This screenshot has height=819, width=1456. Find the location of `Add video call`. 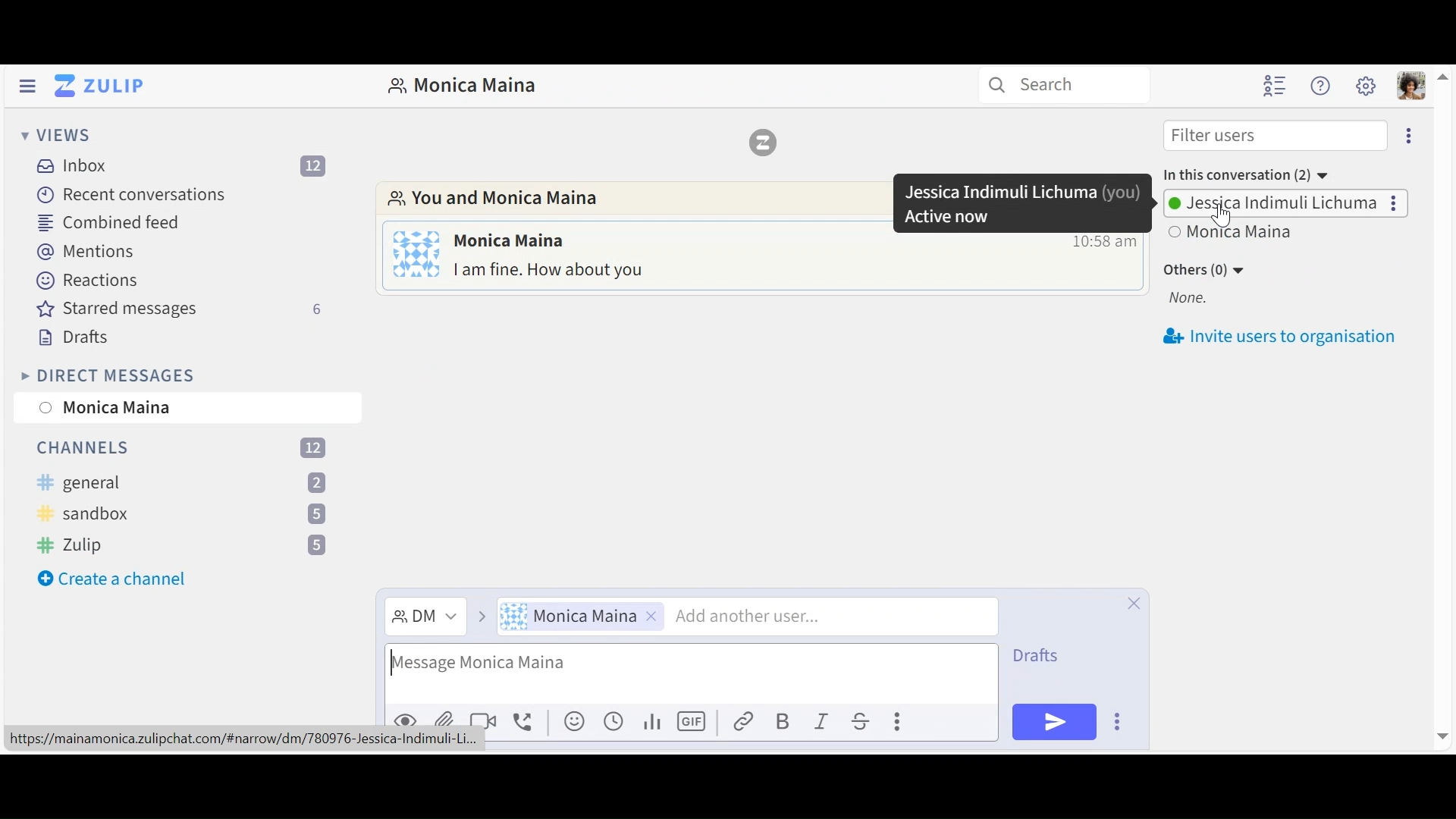

Add video call is located at coordinates (486, 719).